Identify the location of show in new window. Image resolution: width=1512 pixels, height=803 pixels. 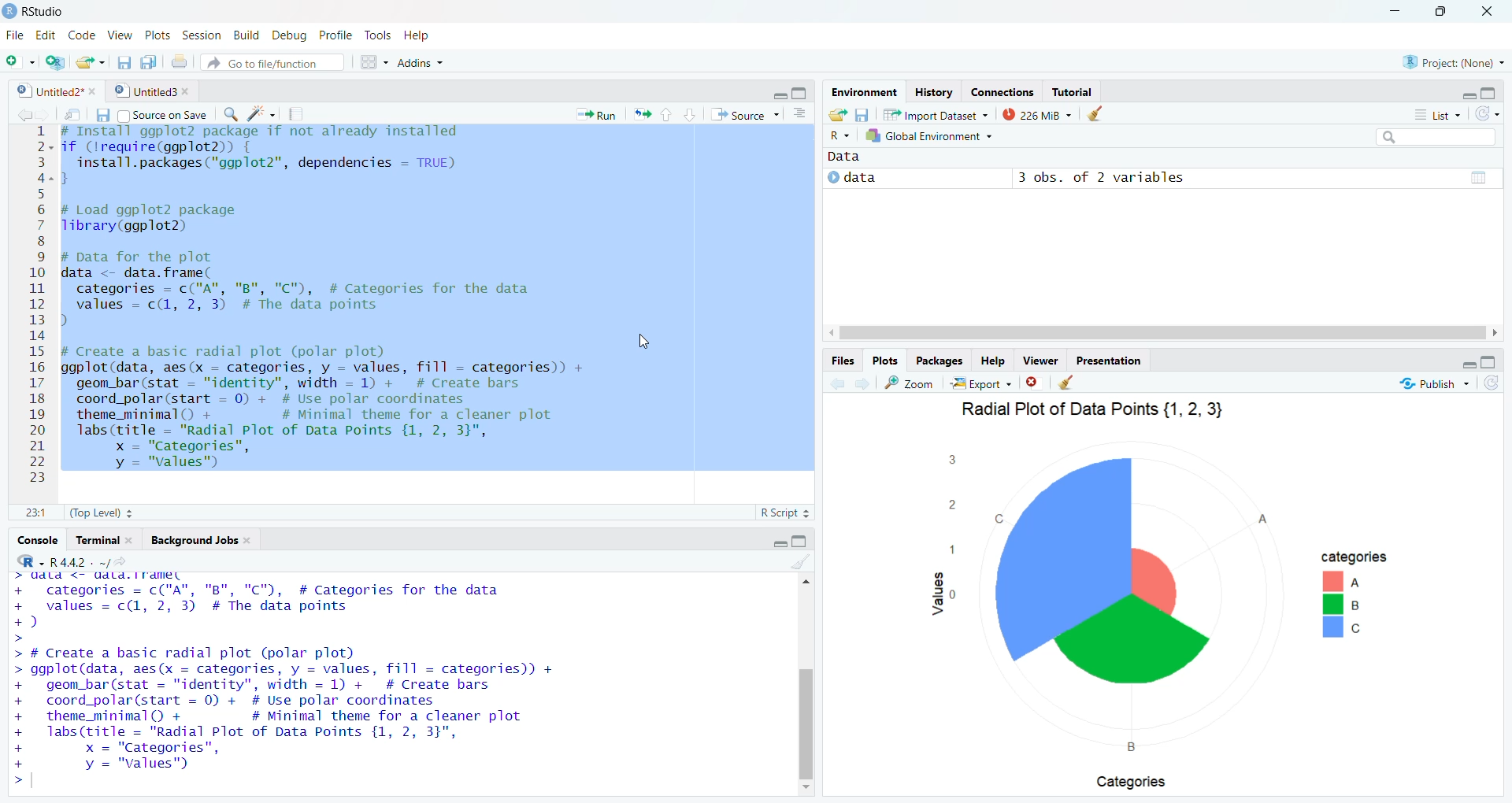
(73, 117).